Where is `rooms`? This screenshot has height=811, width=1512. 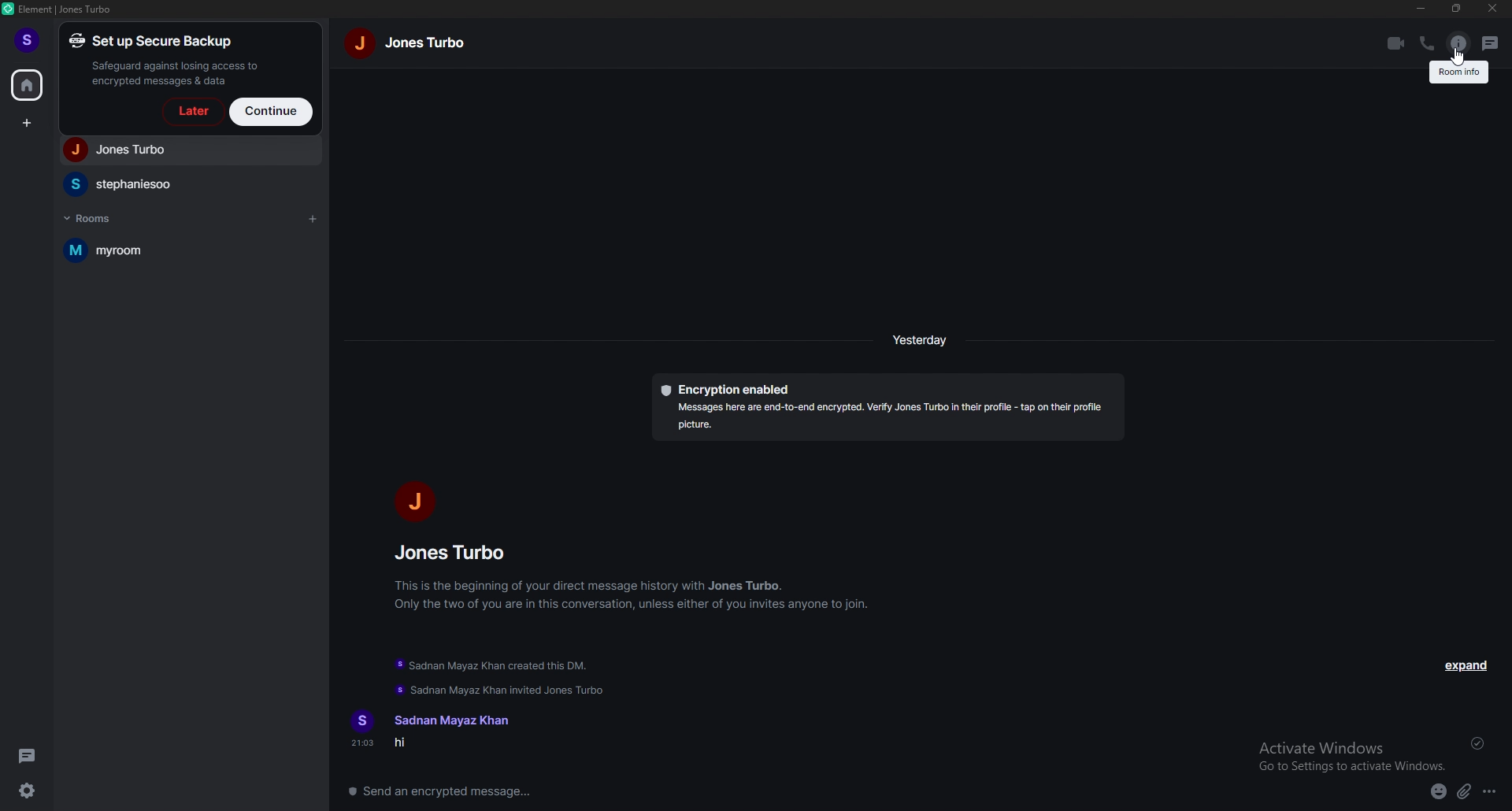
rooms is located at coordinates (95, 217).